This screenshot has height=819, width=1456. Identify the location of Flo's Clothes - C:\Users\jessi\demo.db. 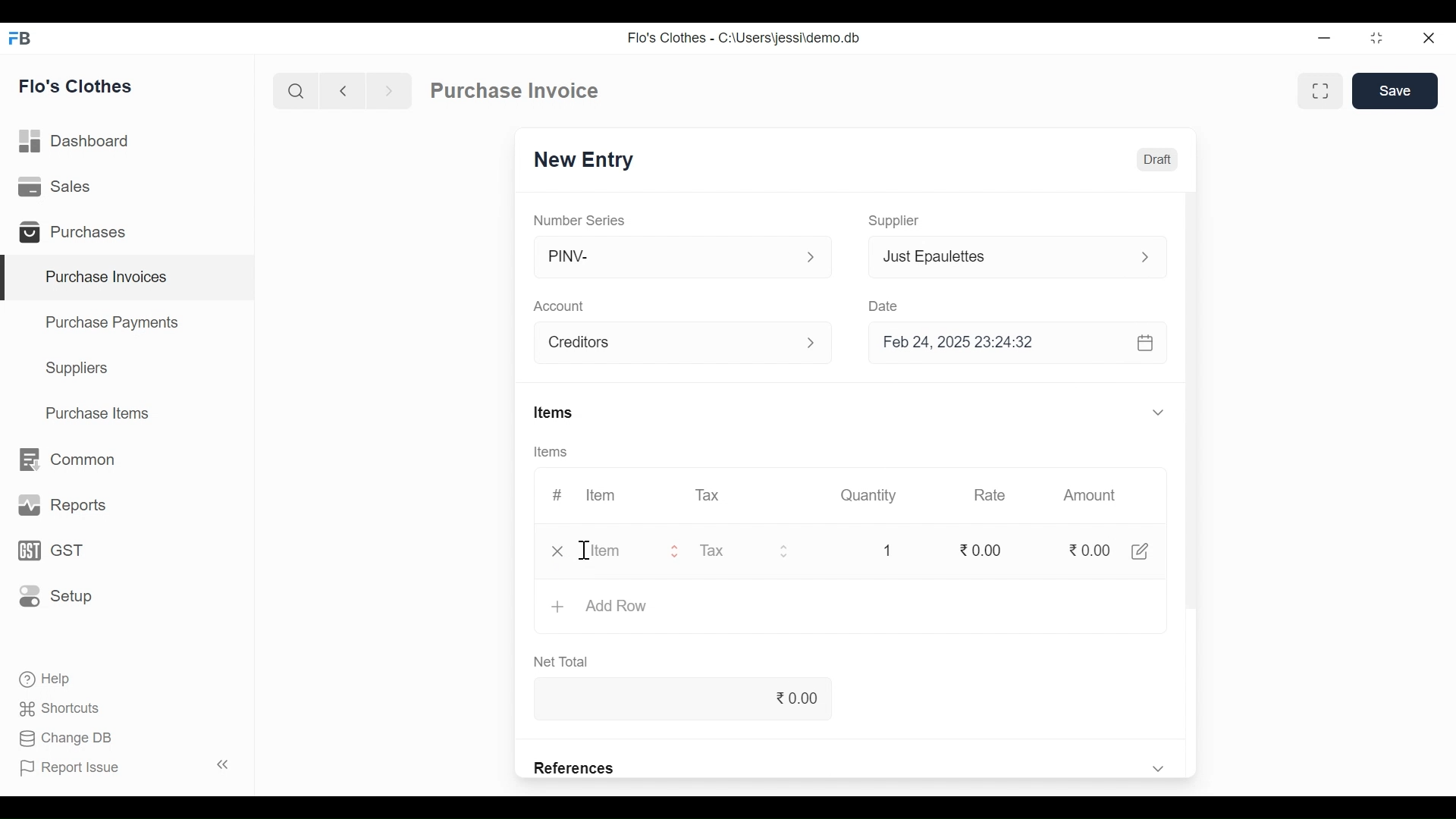
(746, 36).